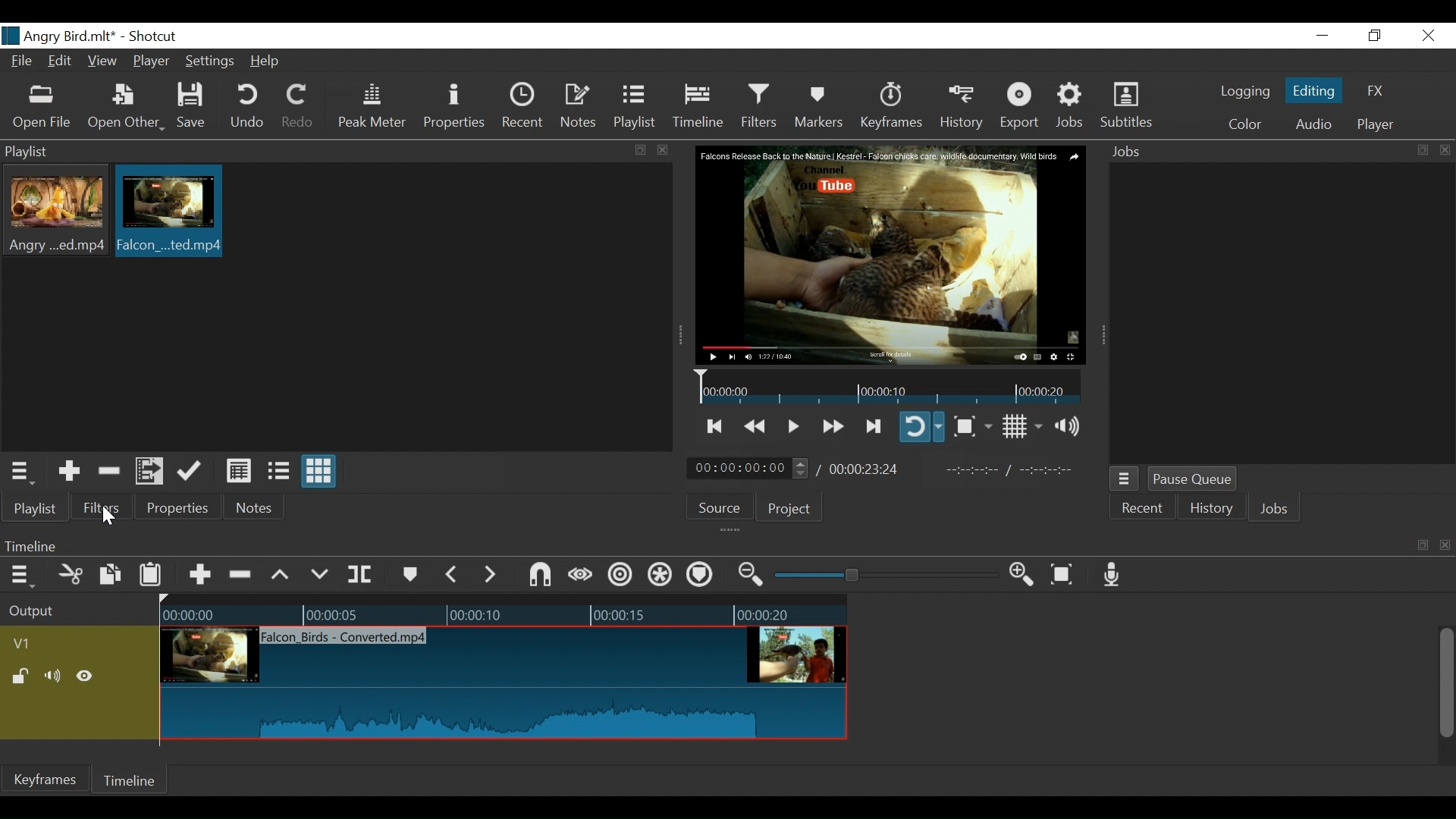  I want to click on Filters, so click(761, 105).